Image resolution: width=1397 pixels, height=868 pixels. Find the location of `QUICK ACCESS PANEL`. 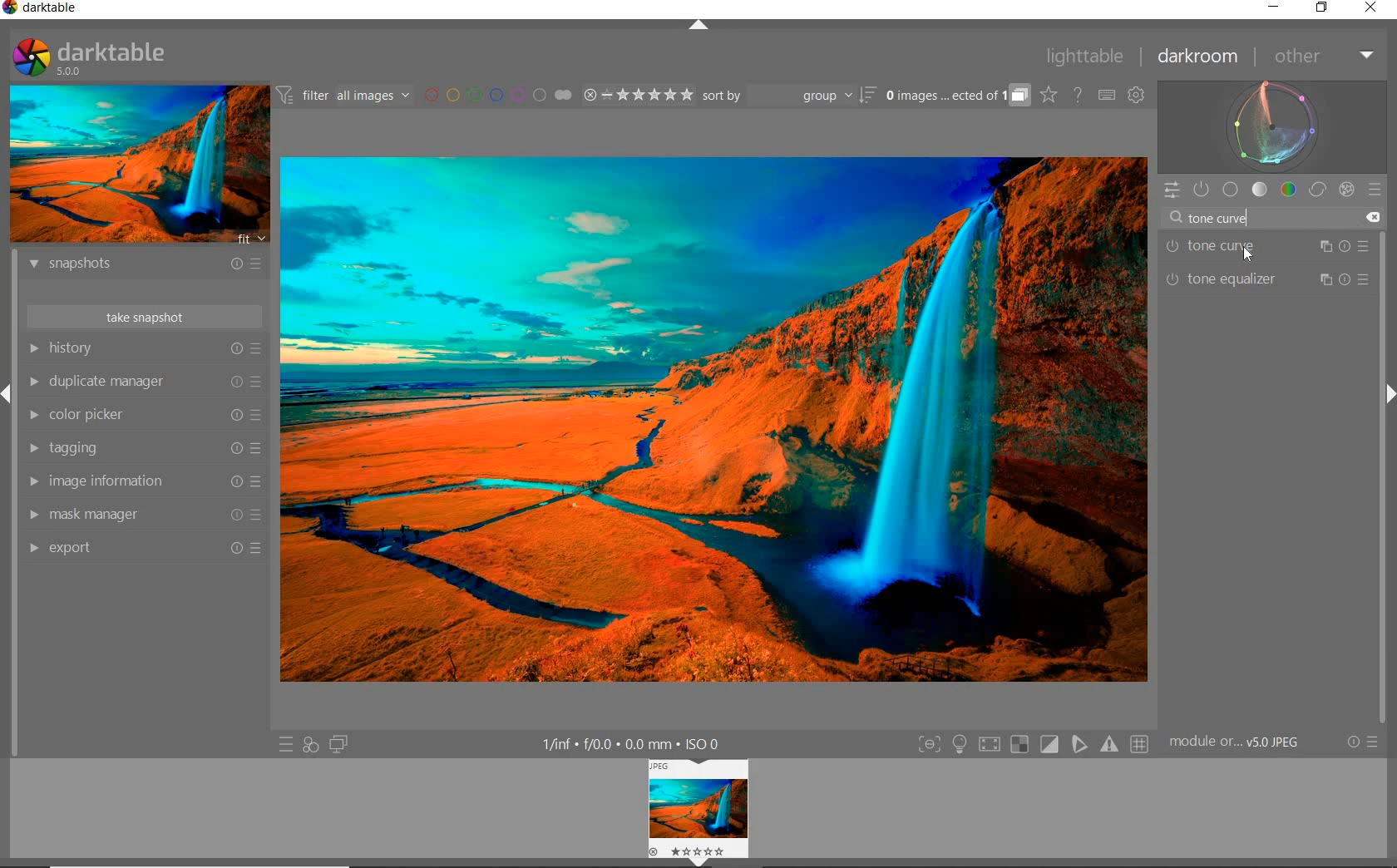

QUICK ACCESS PANEL is located at coordinates (1172, 190).